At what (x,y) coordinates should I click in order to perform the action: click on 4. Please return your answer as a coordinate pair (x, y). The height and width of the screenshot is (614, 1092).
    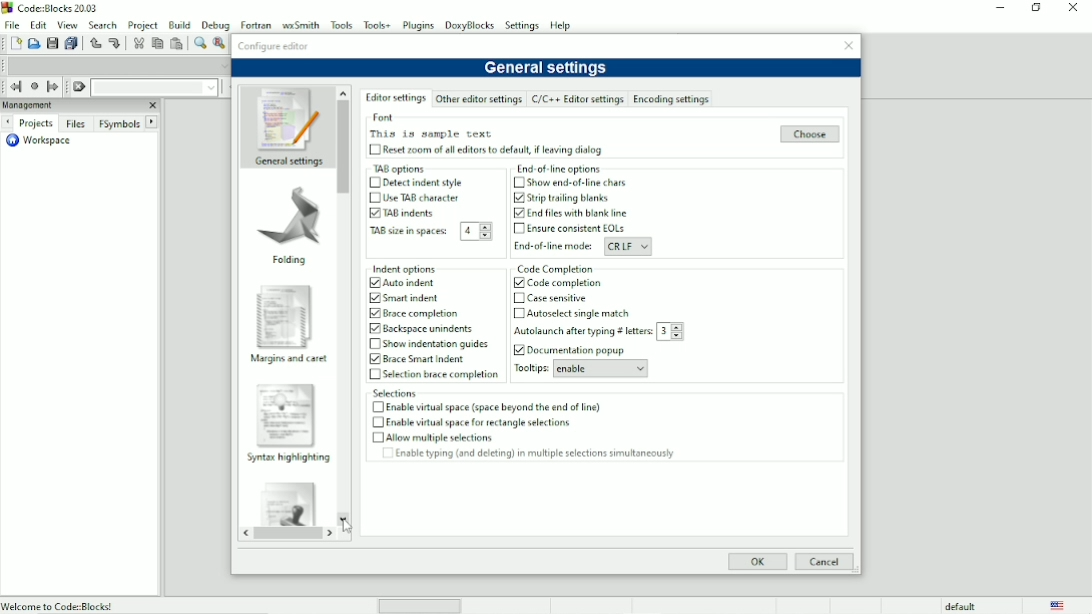
    Looking at the image, I should click on (468, 232).